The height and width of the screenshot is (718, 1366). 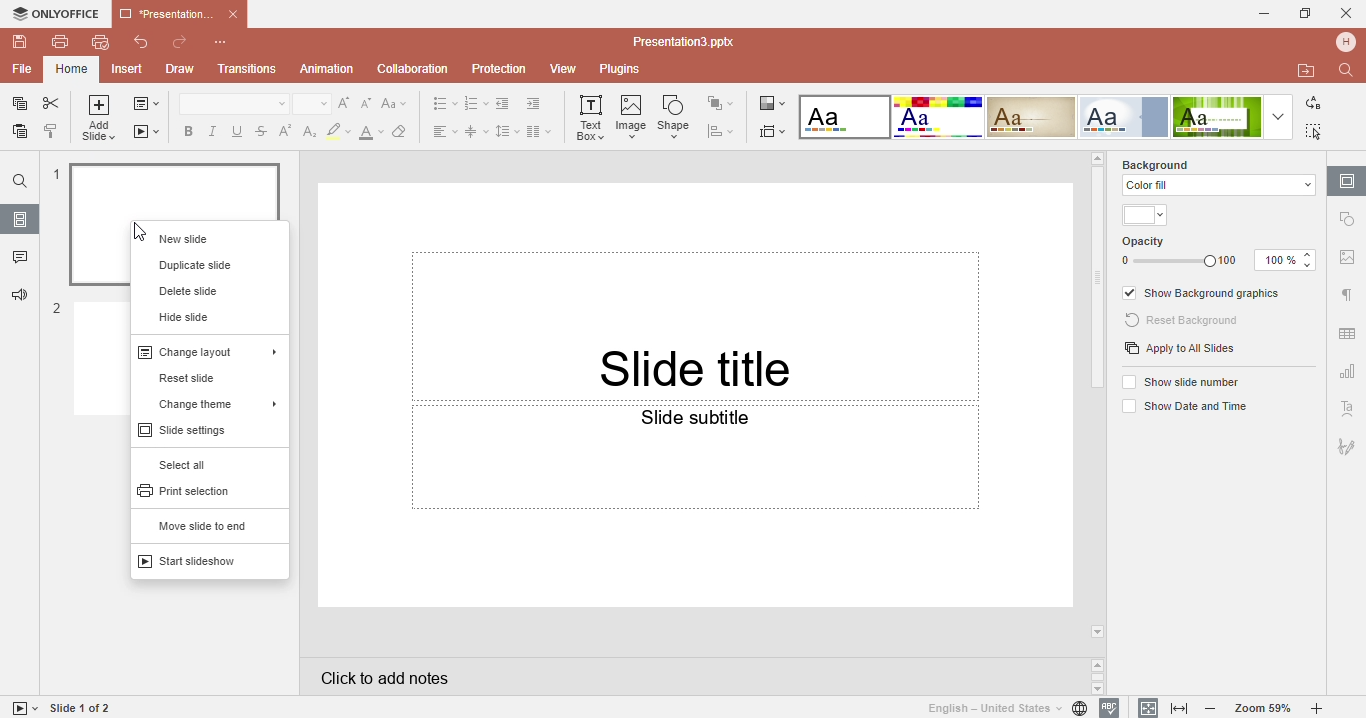 What do you see at coordinates (206, 235) in the screenshot?
I see `New slide` at bounding box center [206, 235].